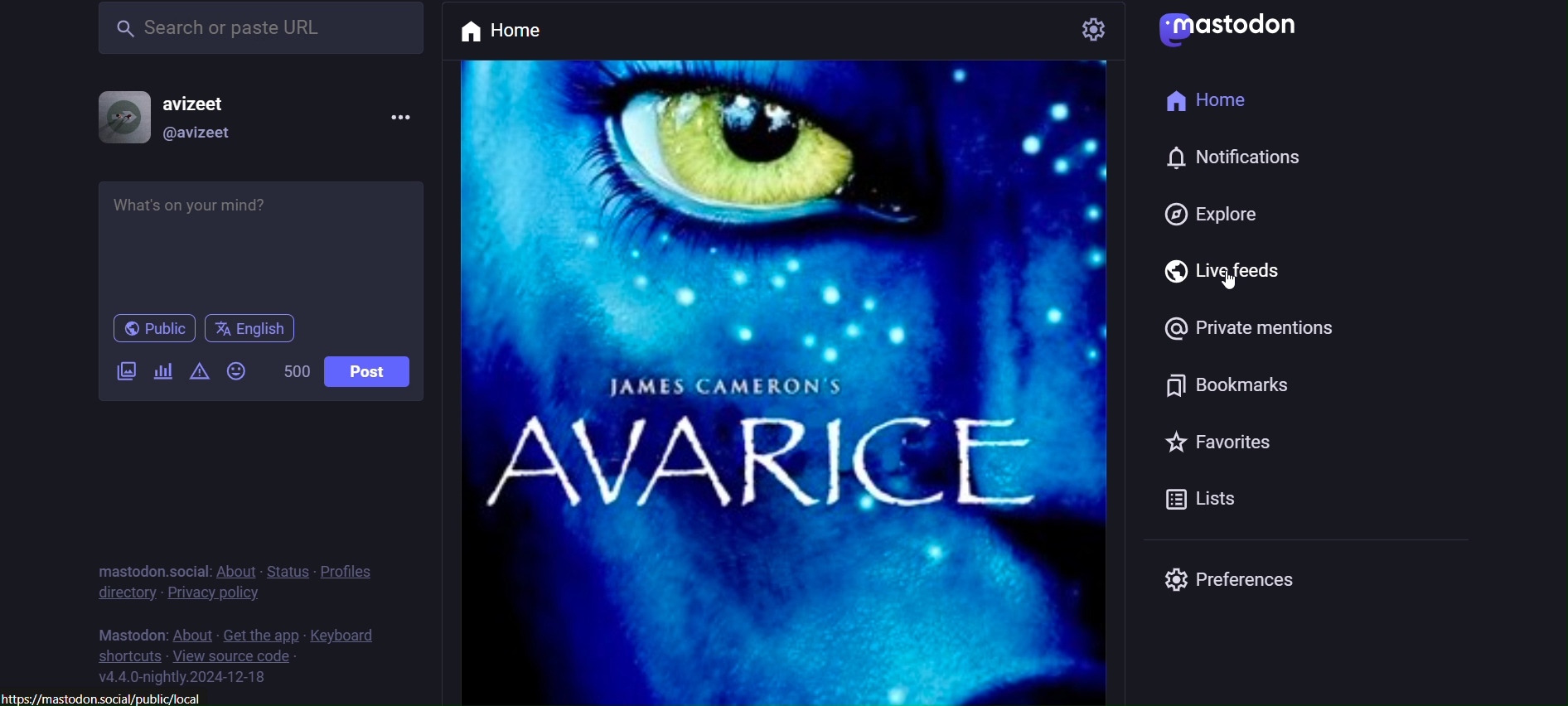 Image resolution: width=1568 pixels, height=706 pixels. Describe the element at coordinates (123, 372) in the screenshot. I see `add image` at that location.